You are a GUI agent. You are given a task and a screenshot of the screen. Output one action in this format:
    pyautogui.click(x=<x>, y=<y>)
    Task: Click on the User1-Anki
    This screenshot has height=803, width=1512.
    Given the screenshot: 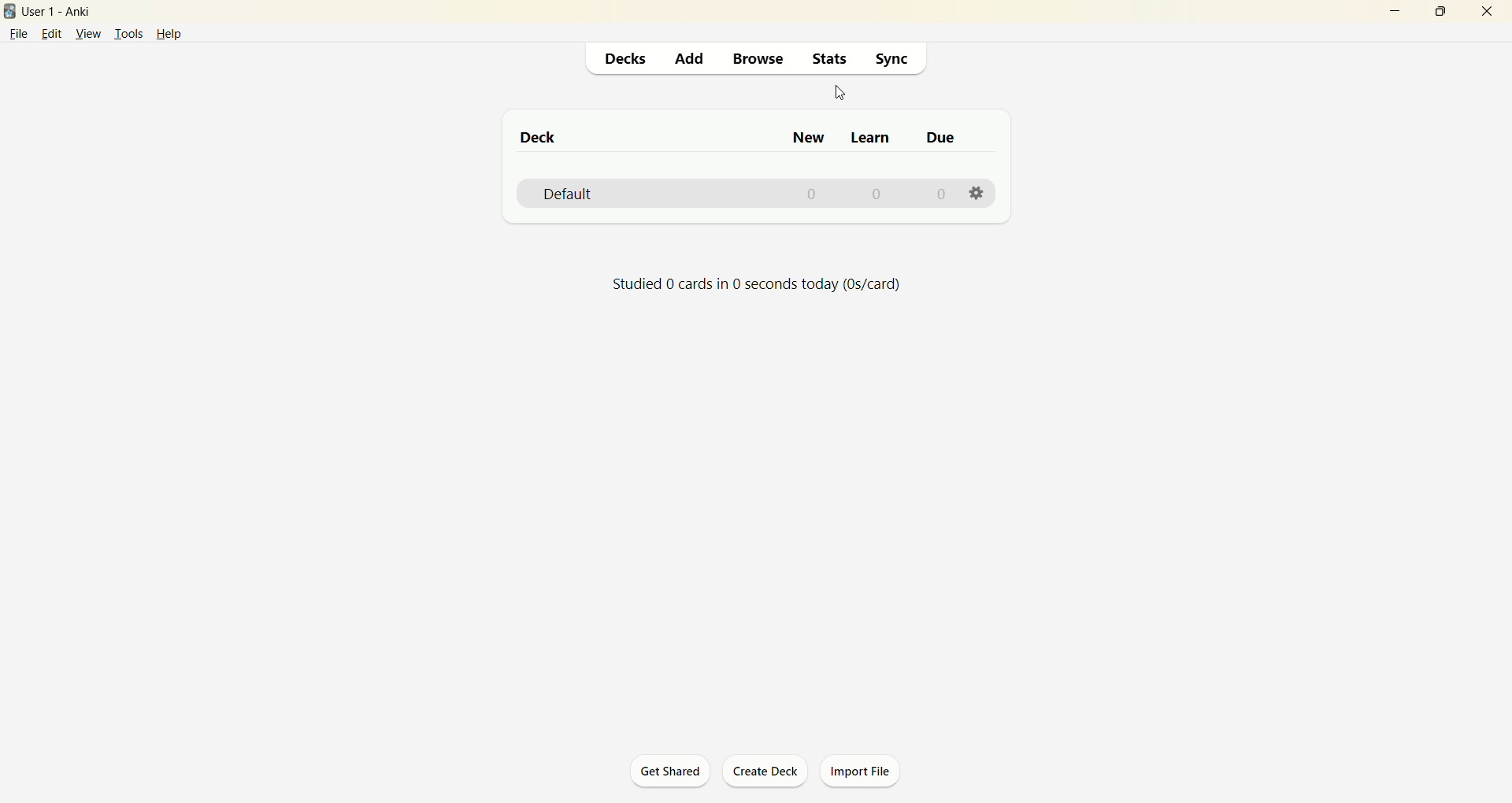 What is the action you would take?
    pyautogui.click(x=67, y=11)
    